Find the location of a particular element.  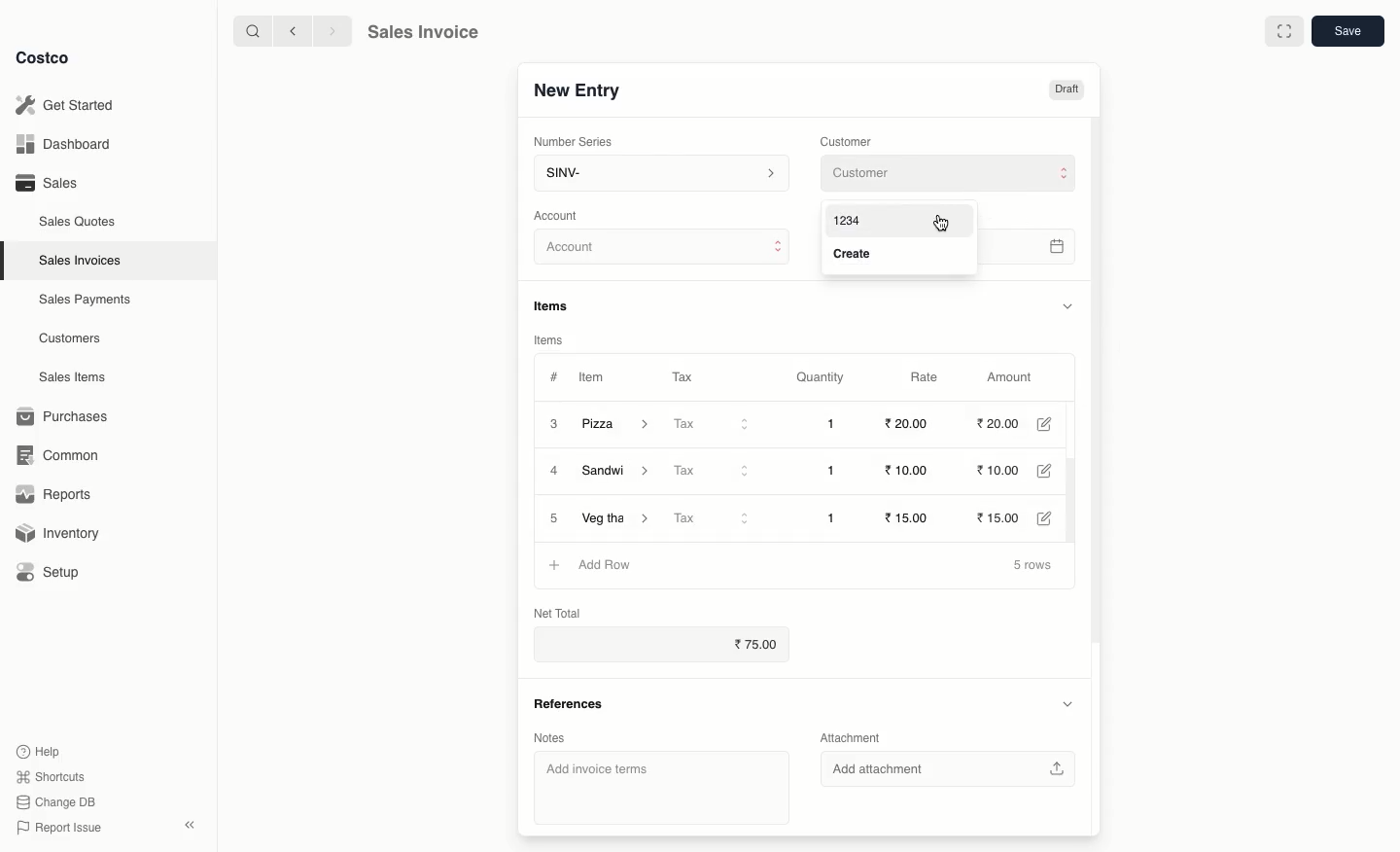

Notes is located at coordinates (548, 736).